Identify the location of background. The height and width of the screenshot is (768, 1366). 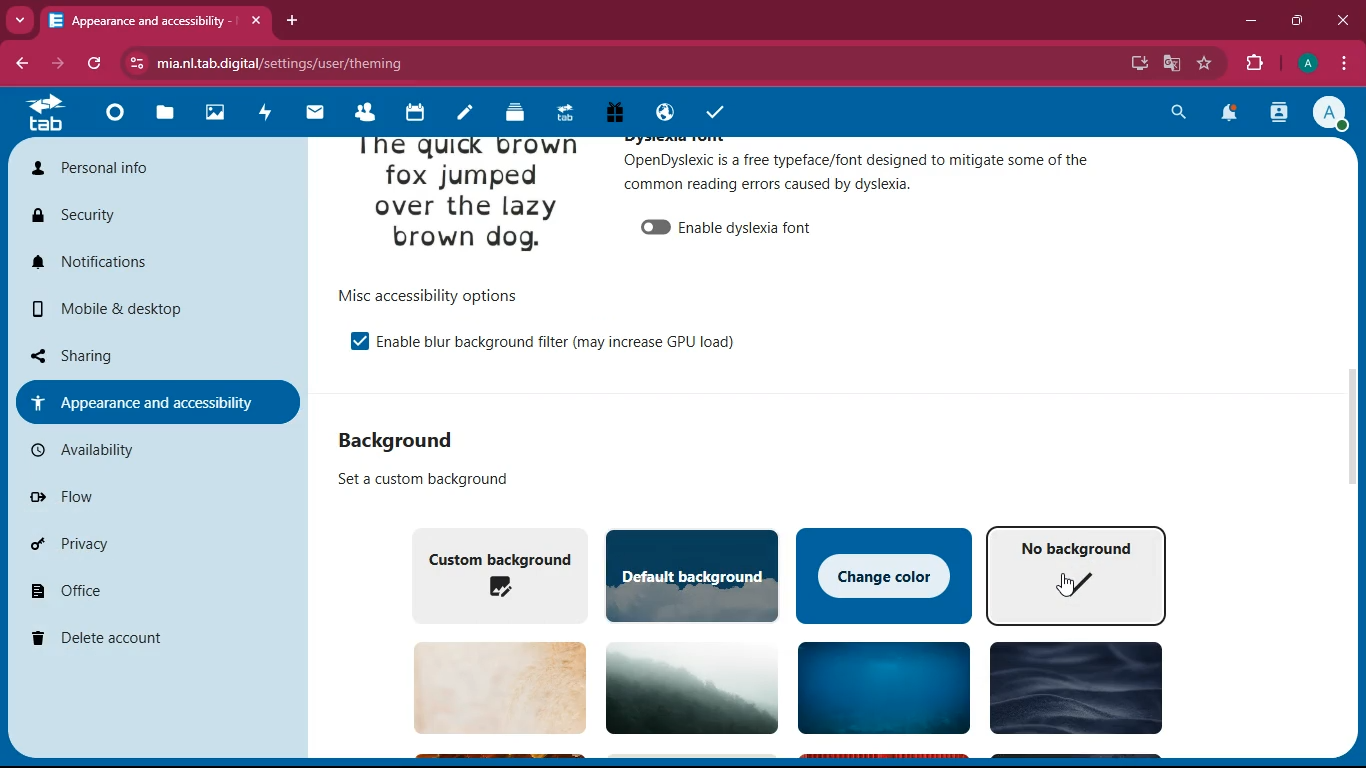
(1072, 691).